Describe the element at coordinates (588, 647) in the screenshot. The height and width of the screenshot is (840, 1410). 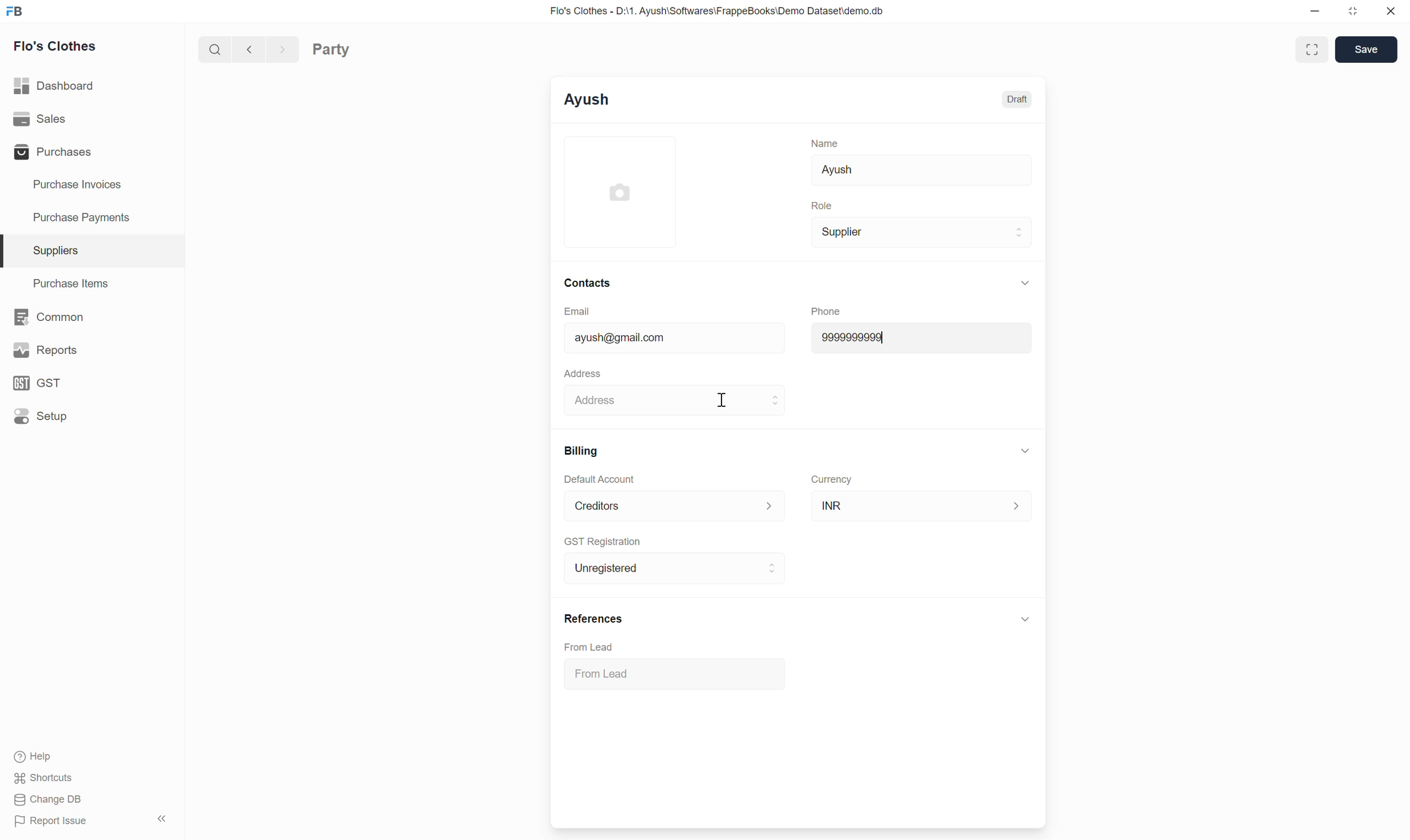
I see `From Lead` at that location.